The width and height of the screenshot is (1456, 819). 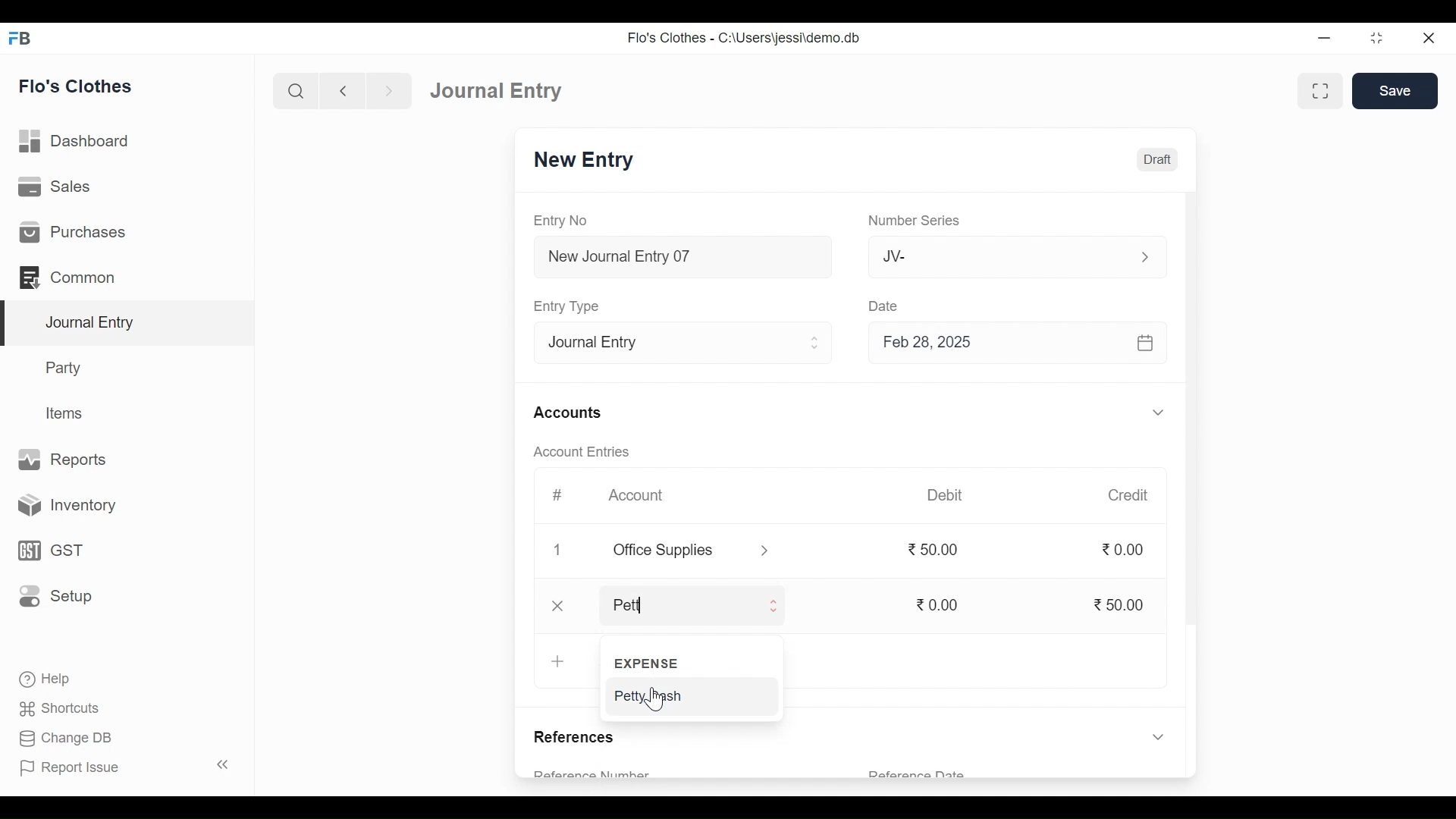 What do you see at coordinates (389, 91) in the screenshot?
I see `Navigate Forward` at bounding box center [389, 91].